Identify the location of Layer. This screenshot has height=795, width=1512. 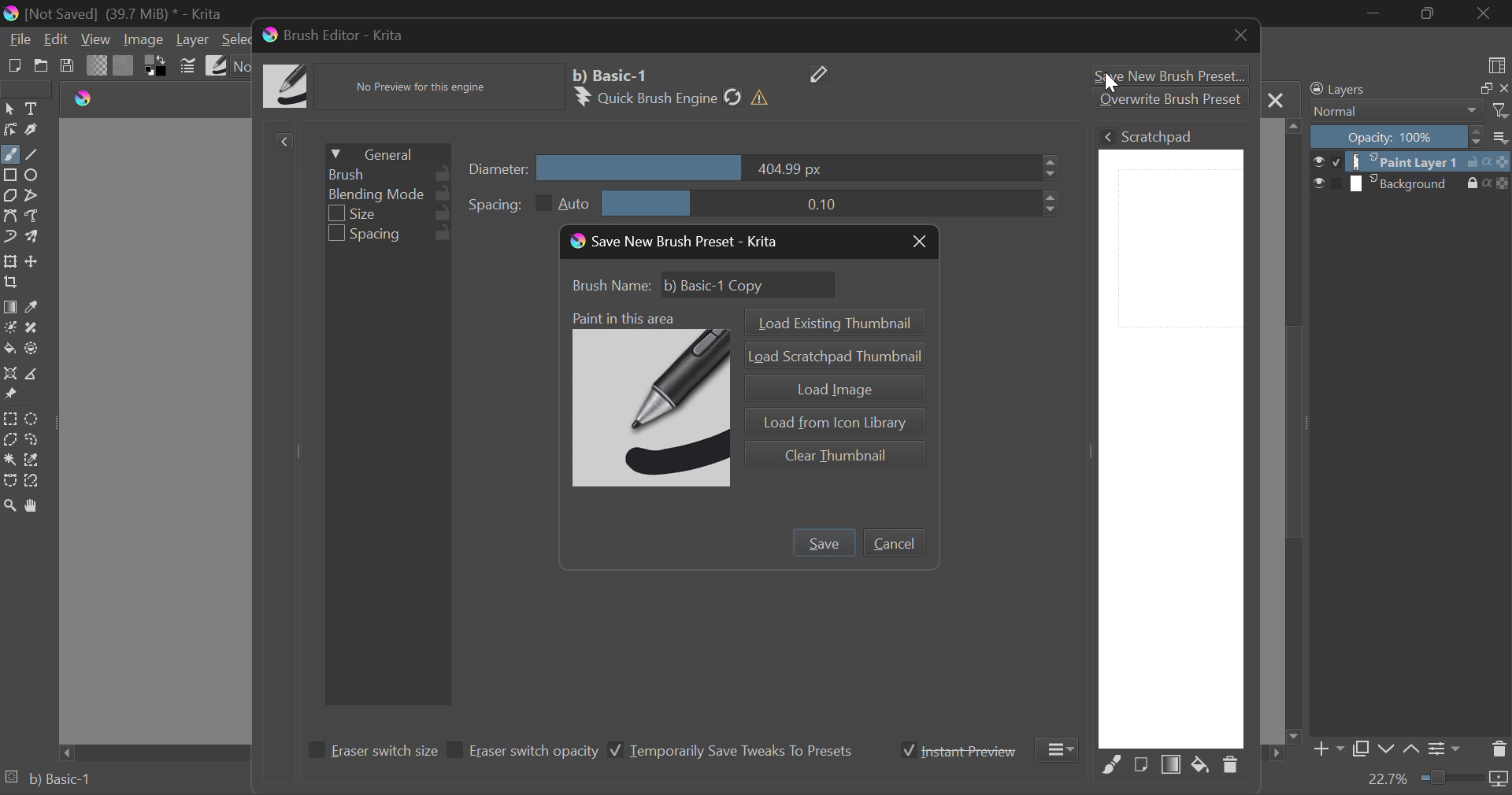
(193, 41).